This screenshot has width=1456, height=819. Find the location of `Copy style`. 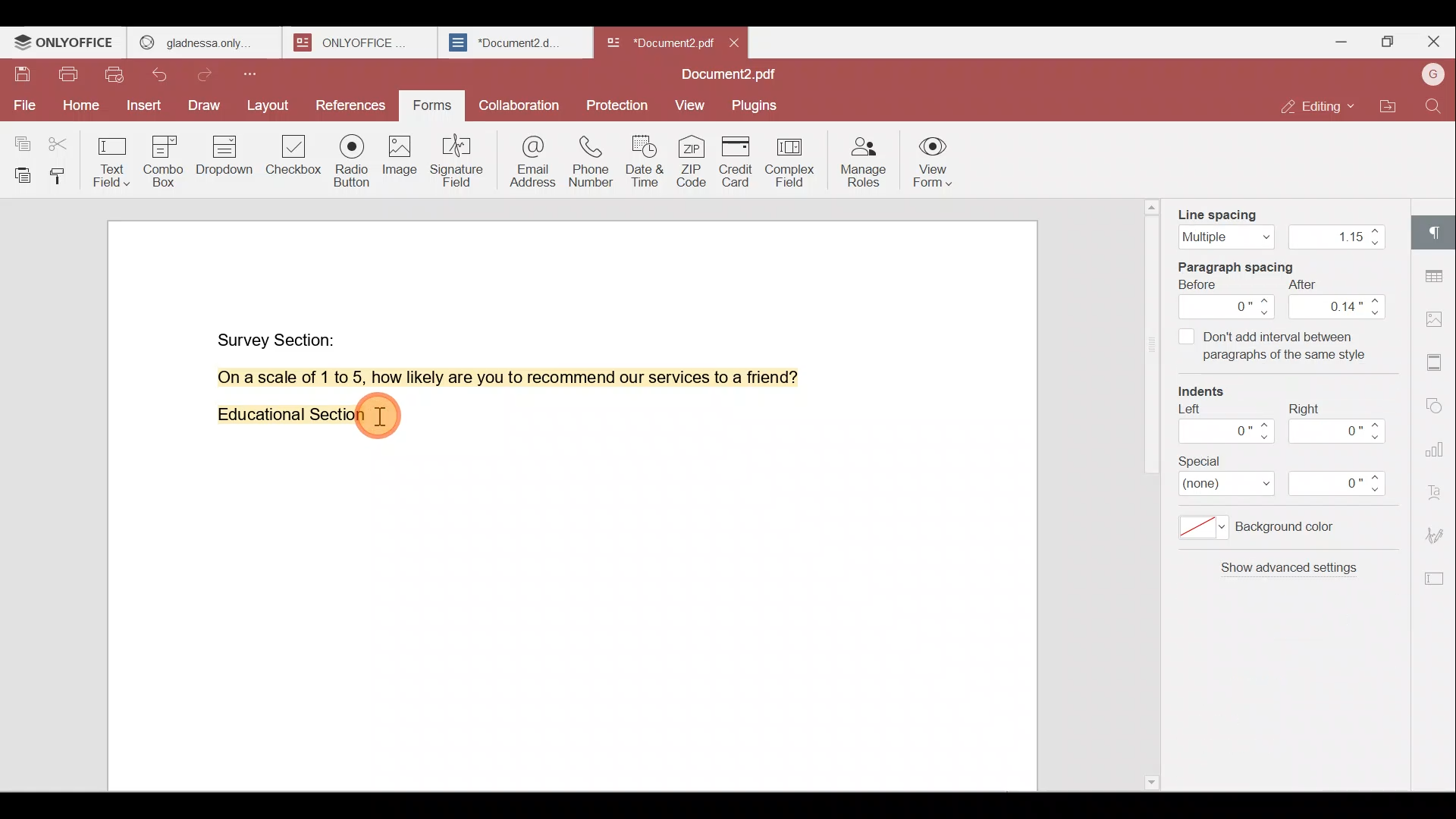

Copy style is located at coordinates (61, 175).